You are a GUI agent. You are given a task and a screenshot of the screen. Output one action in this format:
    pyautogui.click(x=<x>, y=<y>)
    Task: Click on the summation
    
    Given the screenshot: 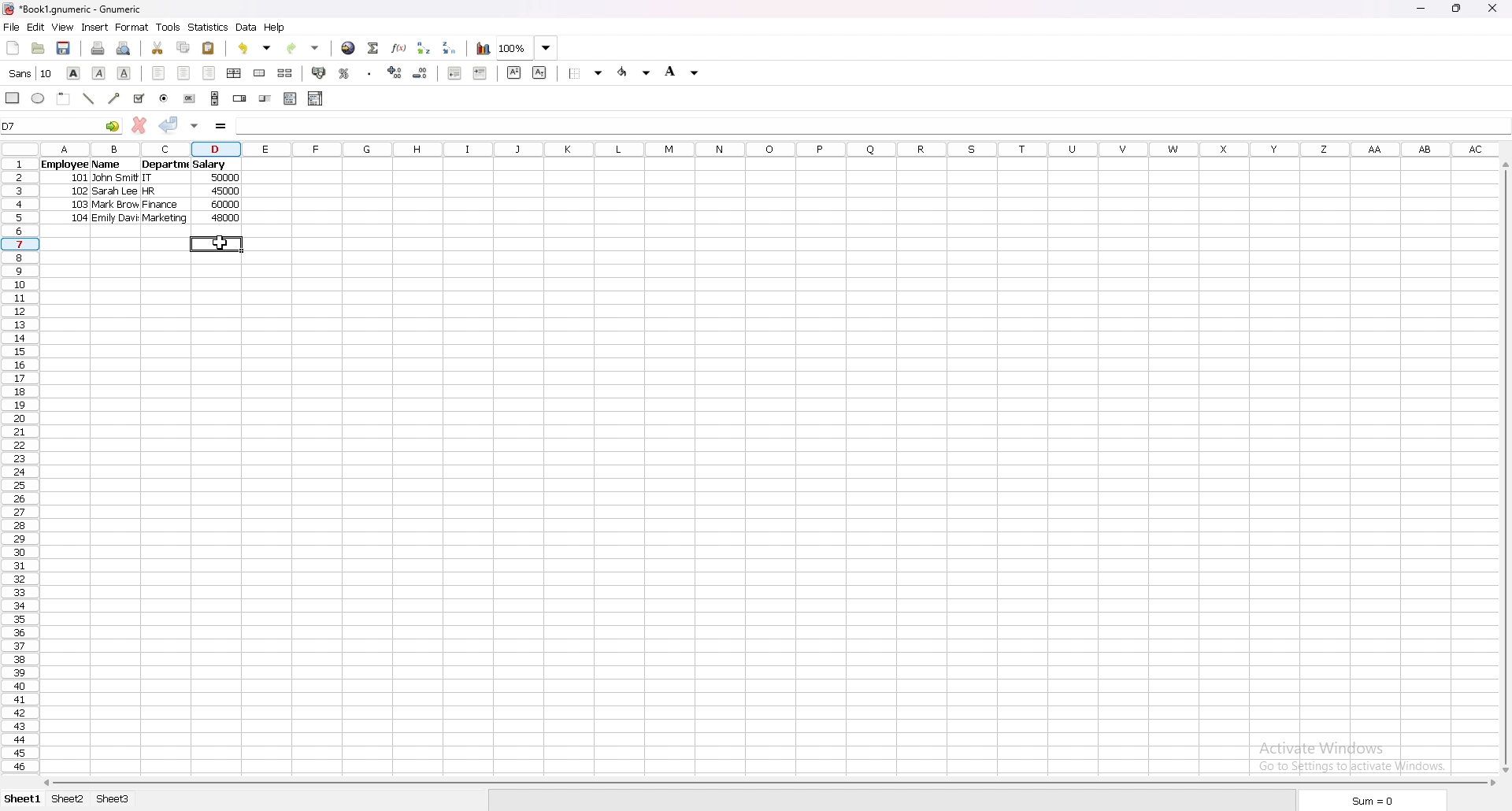 What is the action you would take?
    pyautogui.click(x=374, y=48)
    